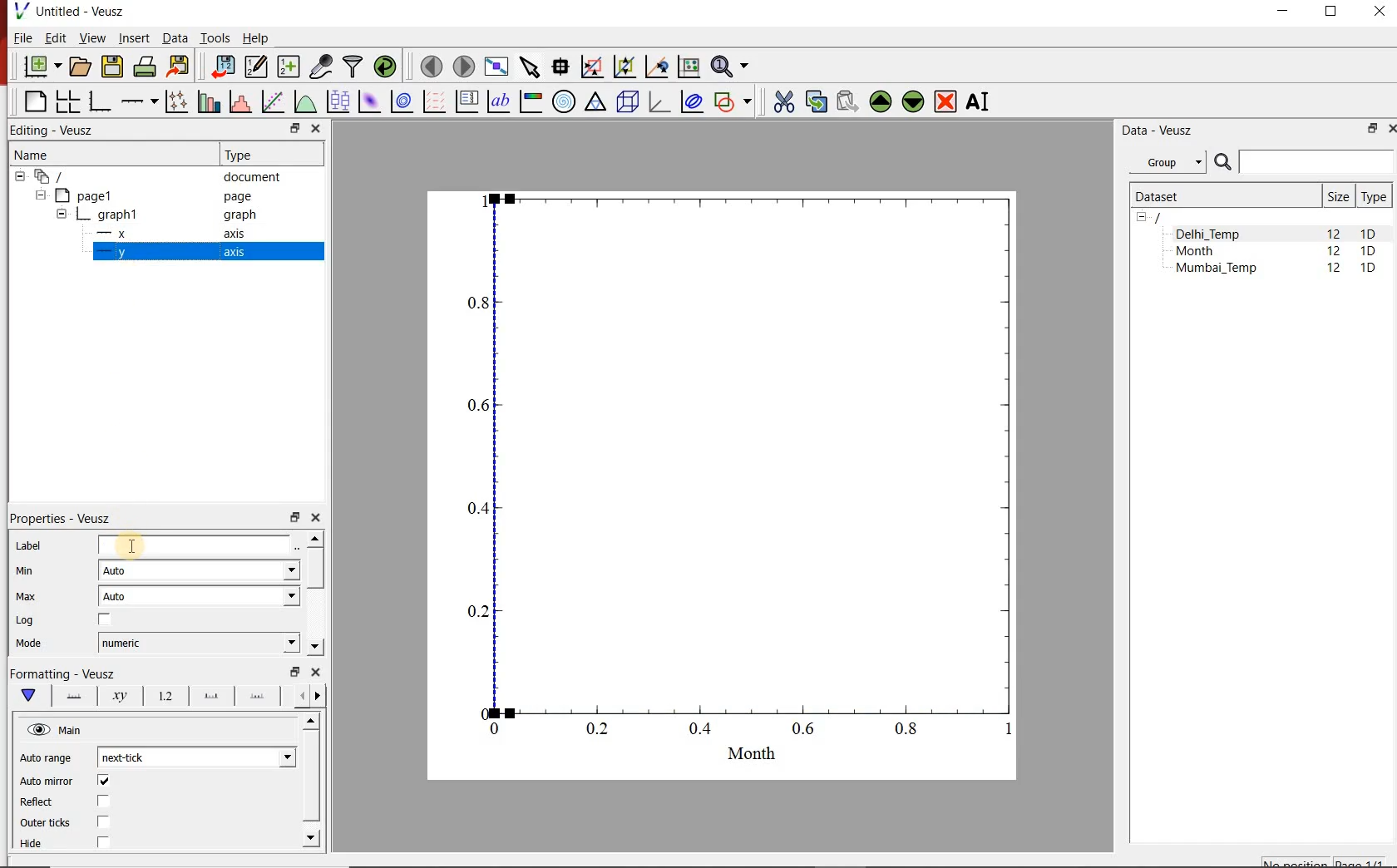 This screenshot has width=1397, height=868. Describe the element at coordinates (104, 802) in the screenshot. I see `check/uncheck` at that location.